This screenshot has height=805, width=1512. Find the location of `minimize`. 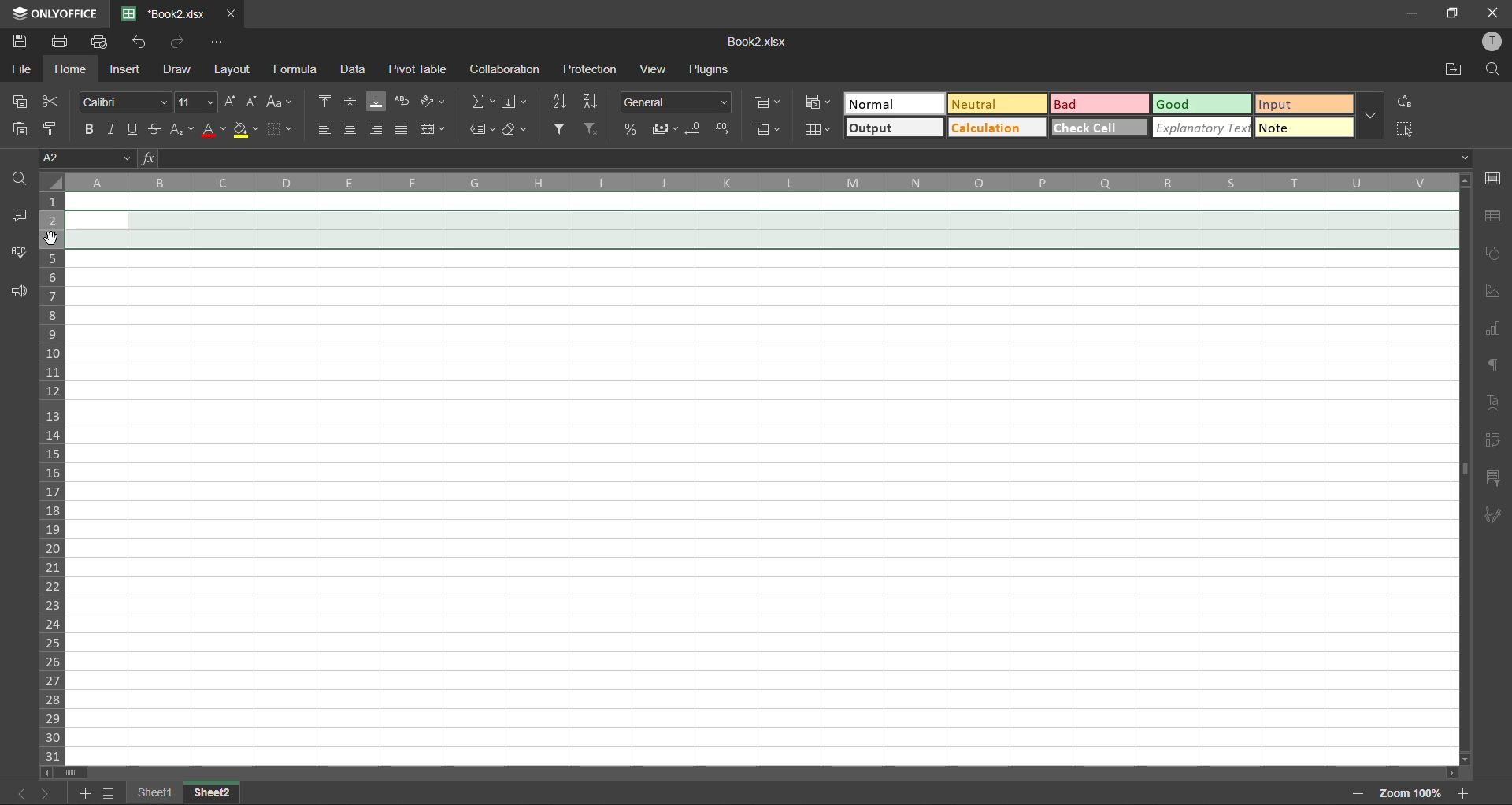

minimize is located at coordinates (1413, 14).